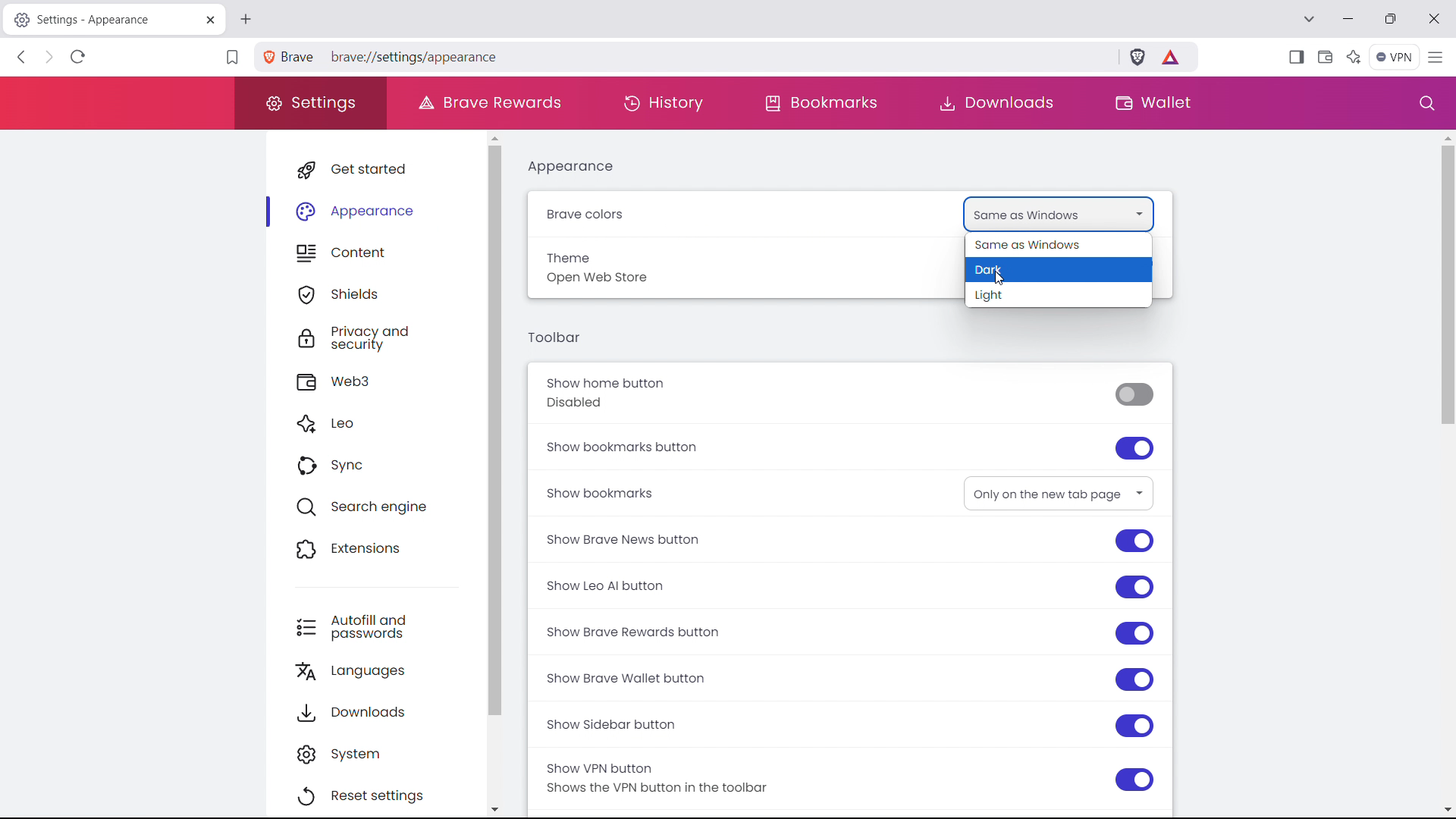  Describe the element at coordinates (246, 20) in the screenshot. I see `open new tab` at that location.